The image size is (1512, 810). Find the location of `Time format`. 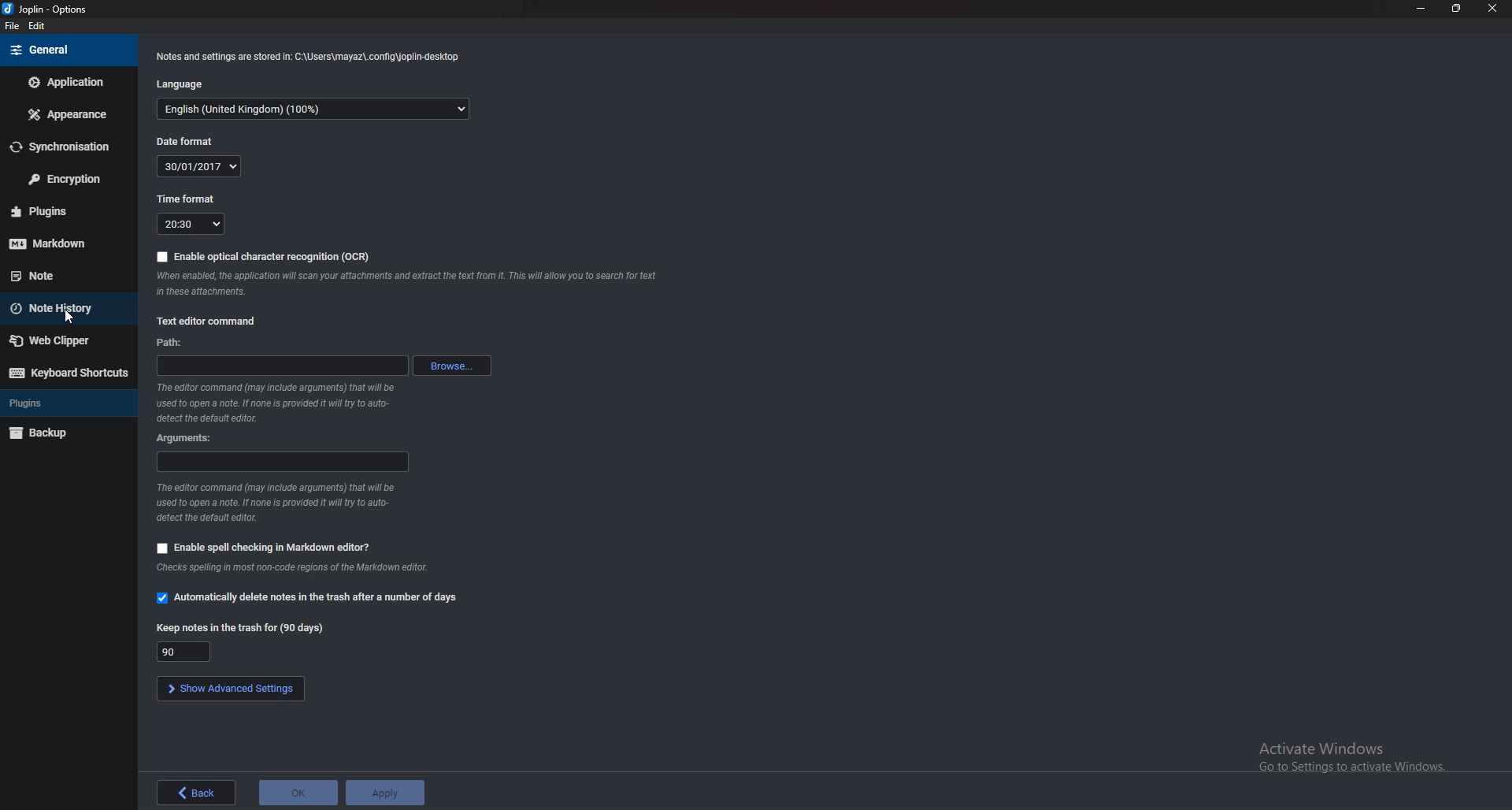

Time format is located at coordinates (188, 200).